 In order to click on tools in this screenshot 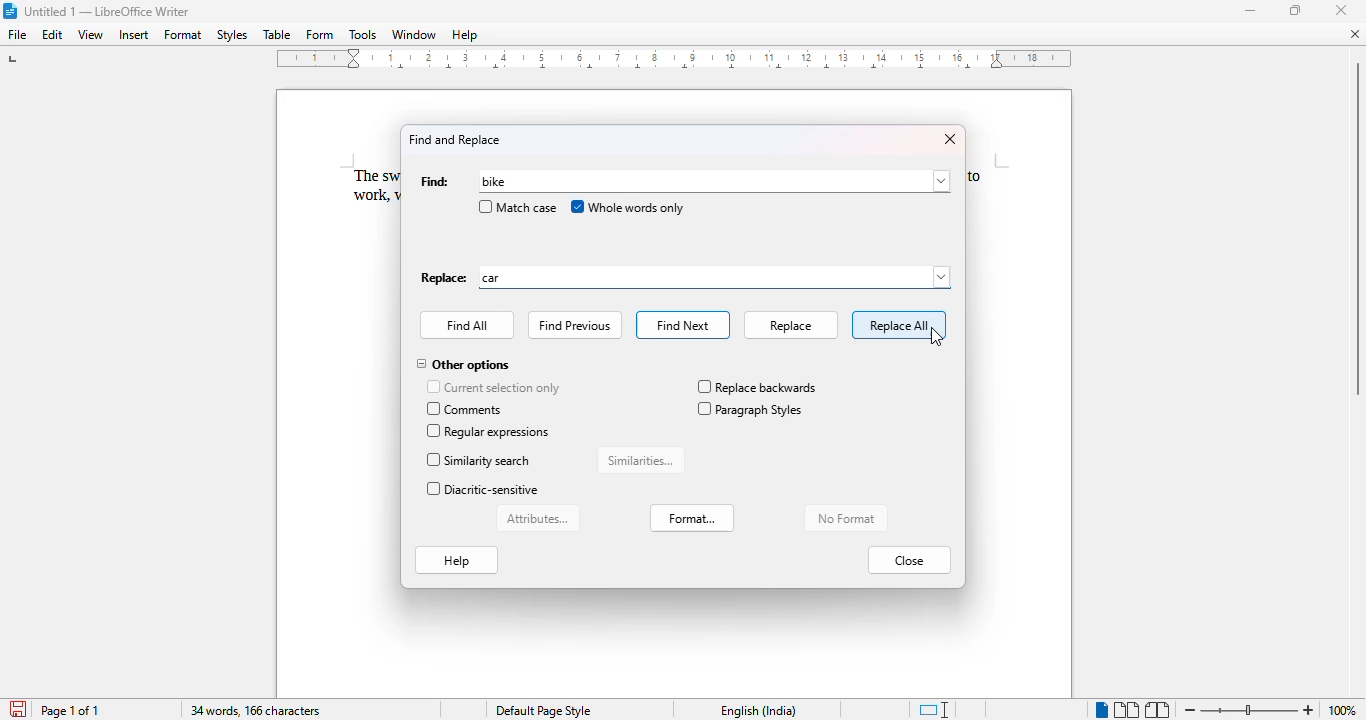, I will do `click(364, 35)`.